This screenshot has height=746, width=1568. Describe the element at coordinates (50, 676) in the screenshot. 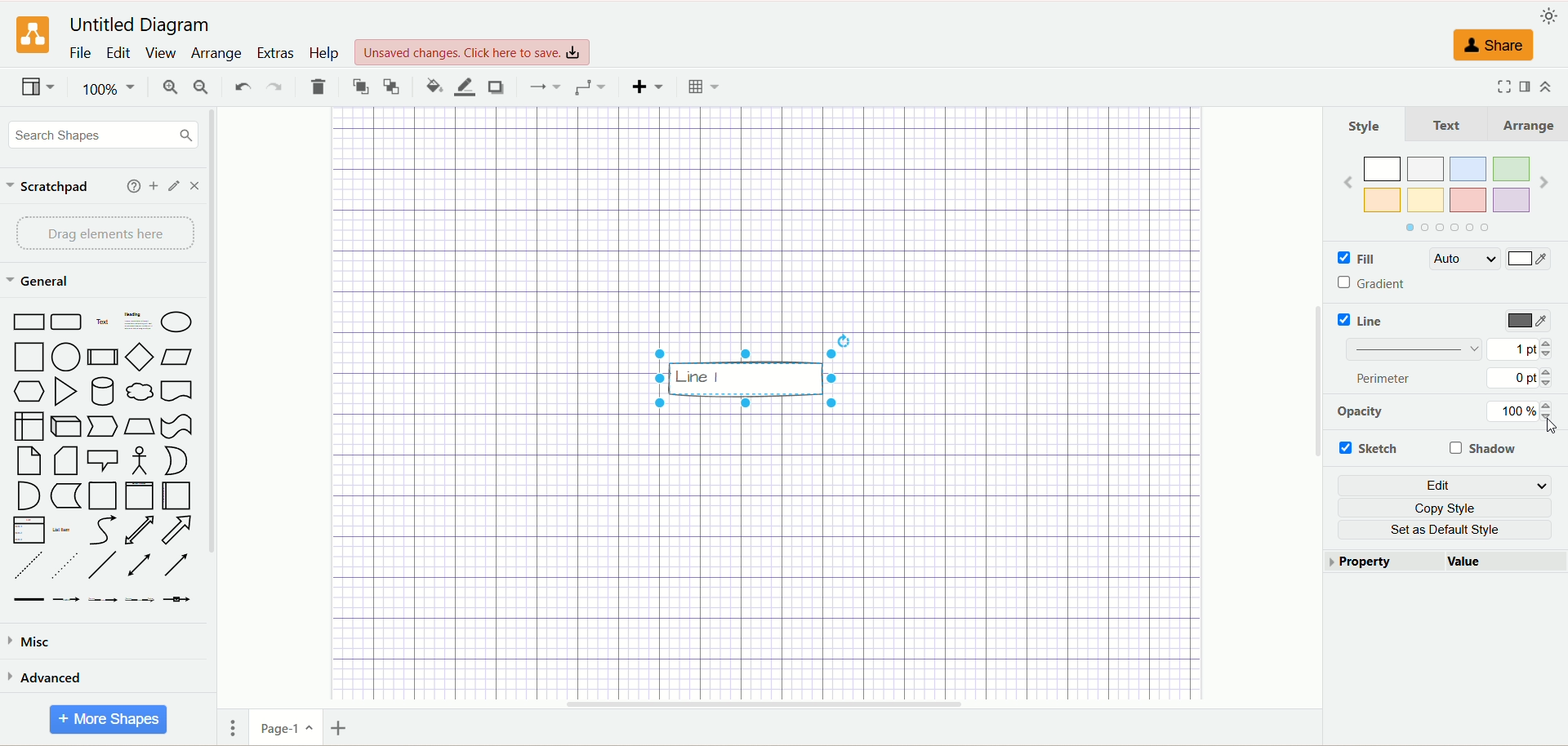

I see `advanced` at that location.